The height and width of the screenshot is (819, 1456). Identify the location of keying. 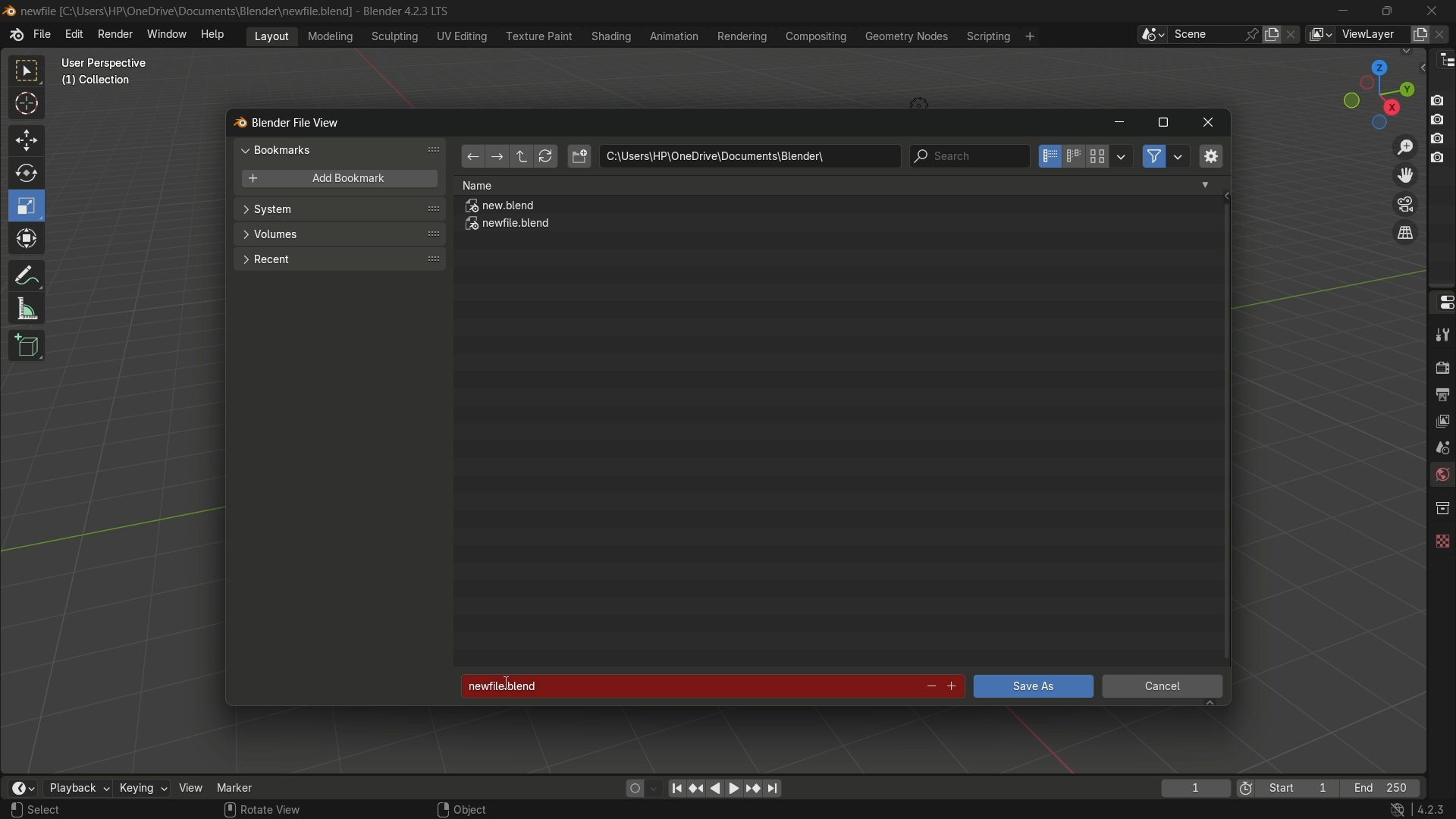
(142, 789).